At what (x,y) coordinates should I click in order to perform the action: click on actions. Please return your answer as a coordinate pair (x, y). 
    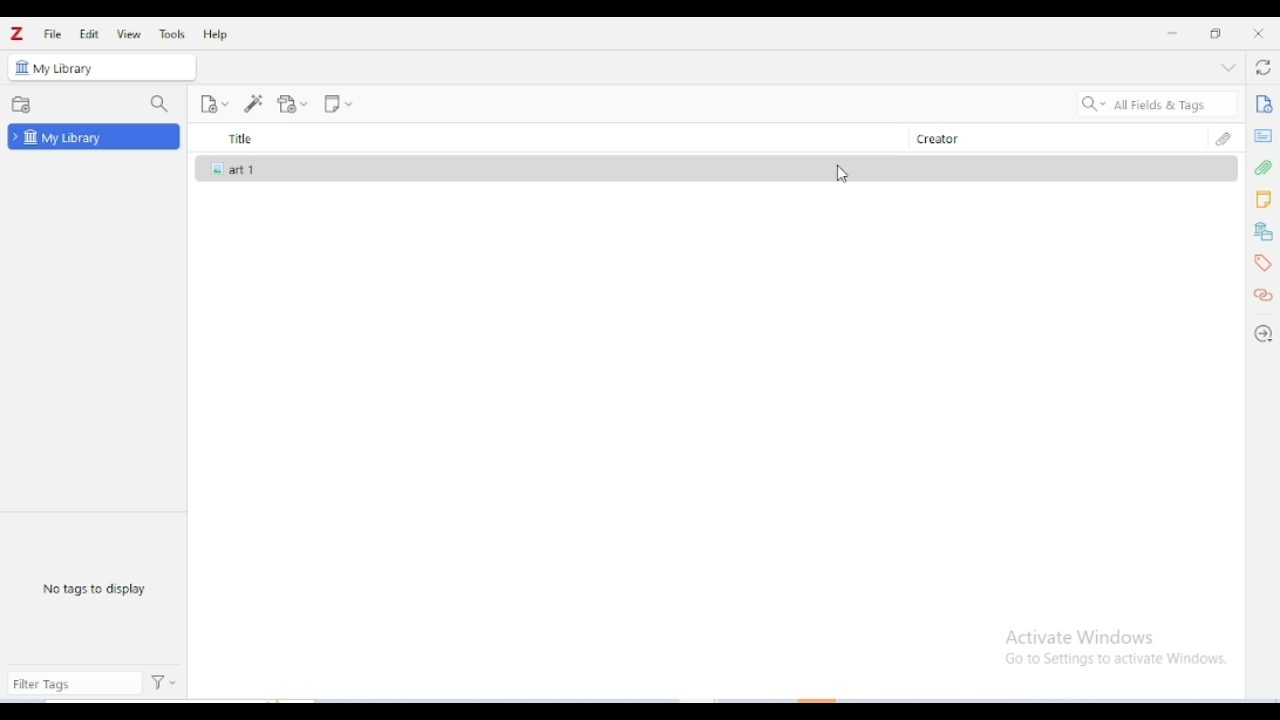
    Looking at the image, I should click on (165, 683).